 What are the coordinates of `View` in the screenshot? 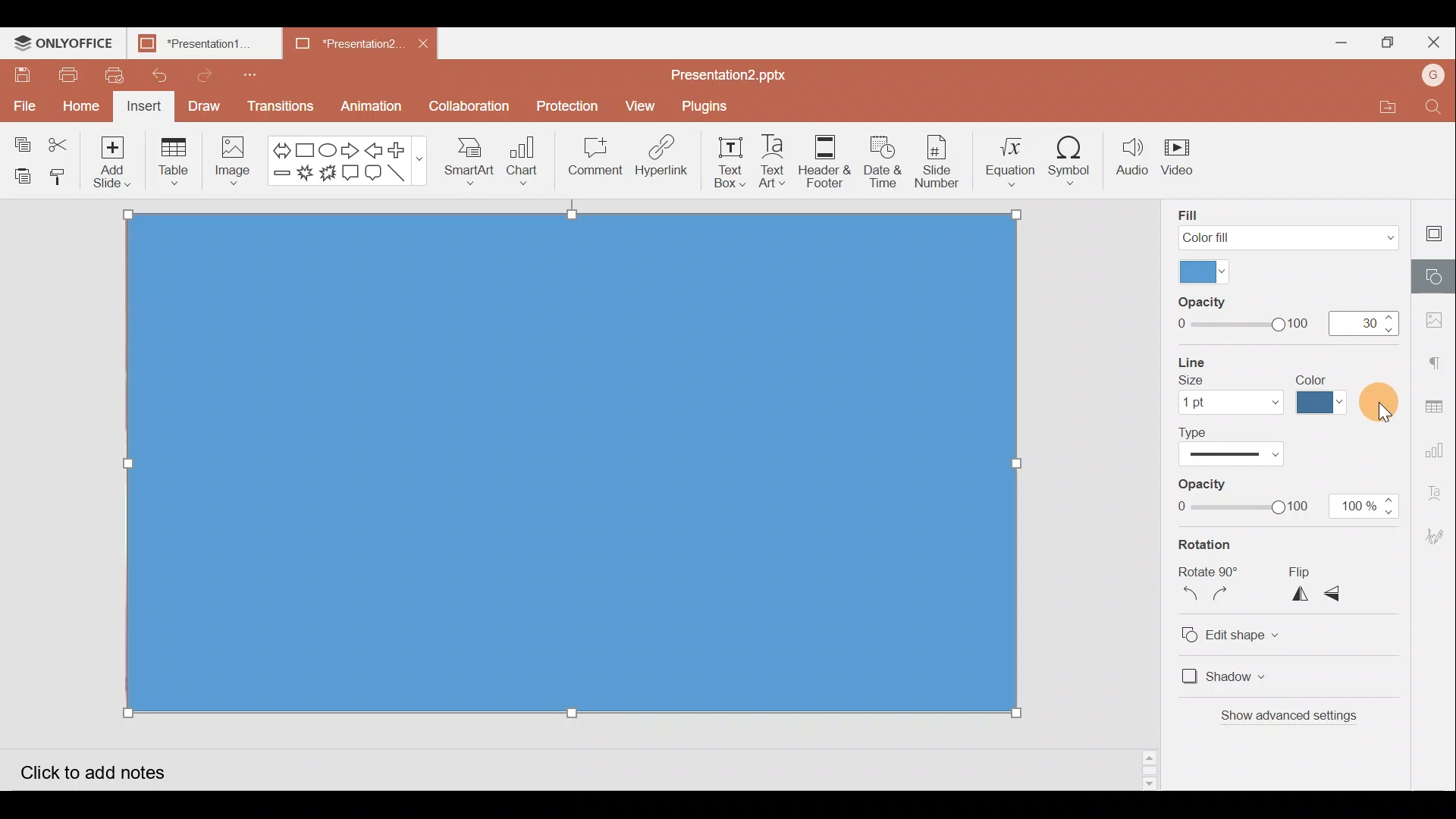 It's located at (638, 106).